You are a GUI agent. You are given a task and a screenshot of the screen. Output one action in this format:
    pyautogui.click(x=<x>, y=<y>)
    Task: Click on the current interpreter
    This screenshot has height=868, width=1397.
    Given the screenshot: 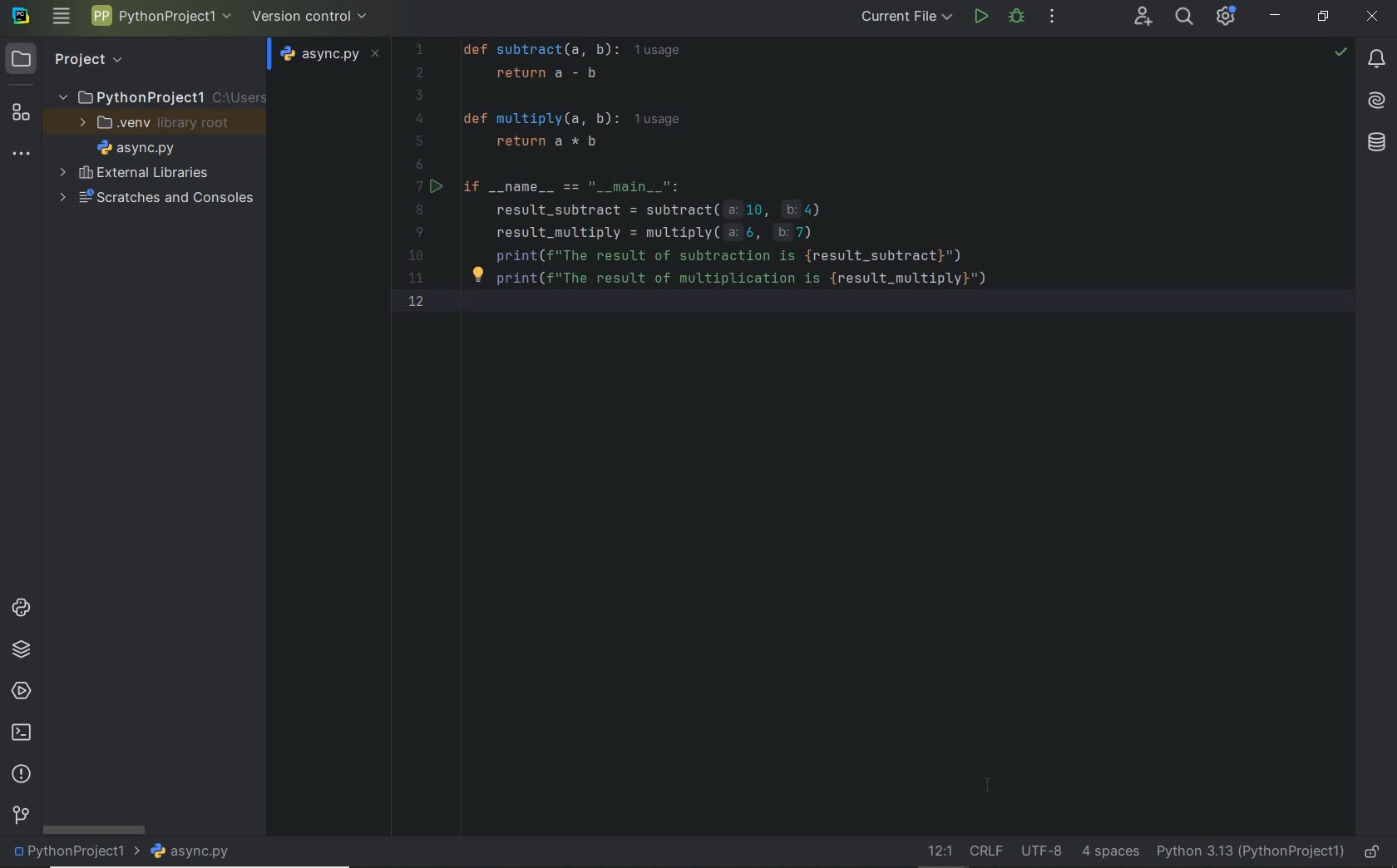 What is the action you would take?
    pyautogui.click(x=1251, y=853)
    